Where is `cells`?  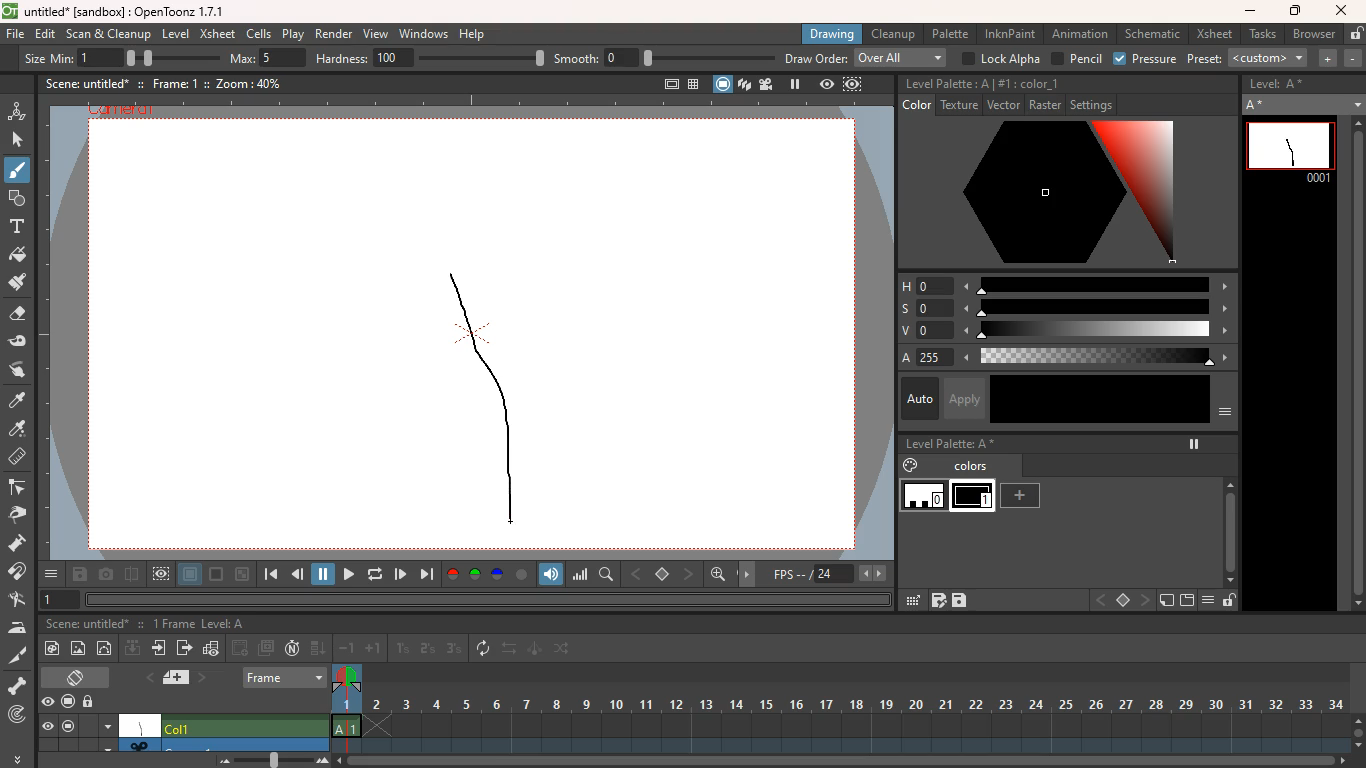
cells is located at coordinates (260, 33).